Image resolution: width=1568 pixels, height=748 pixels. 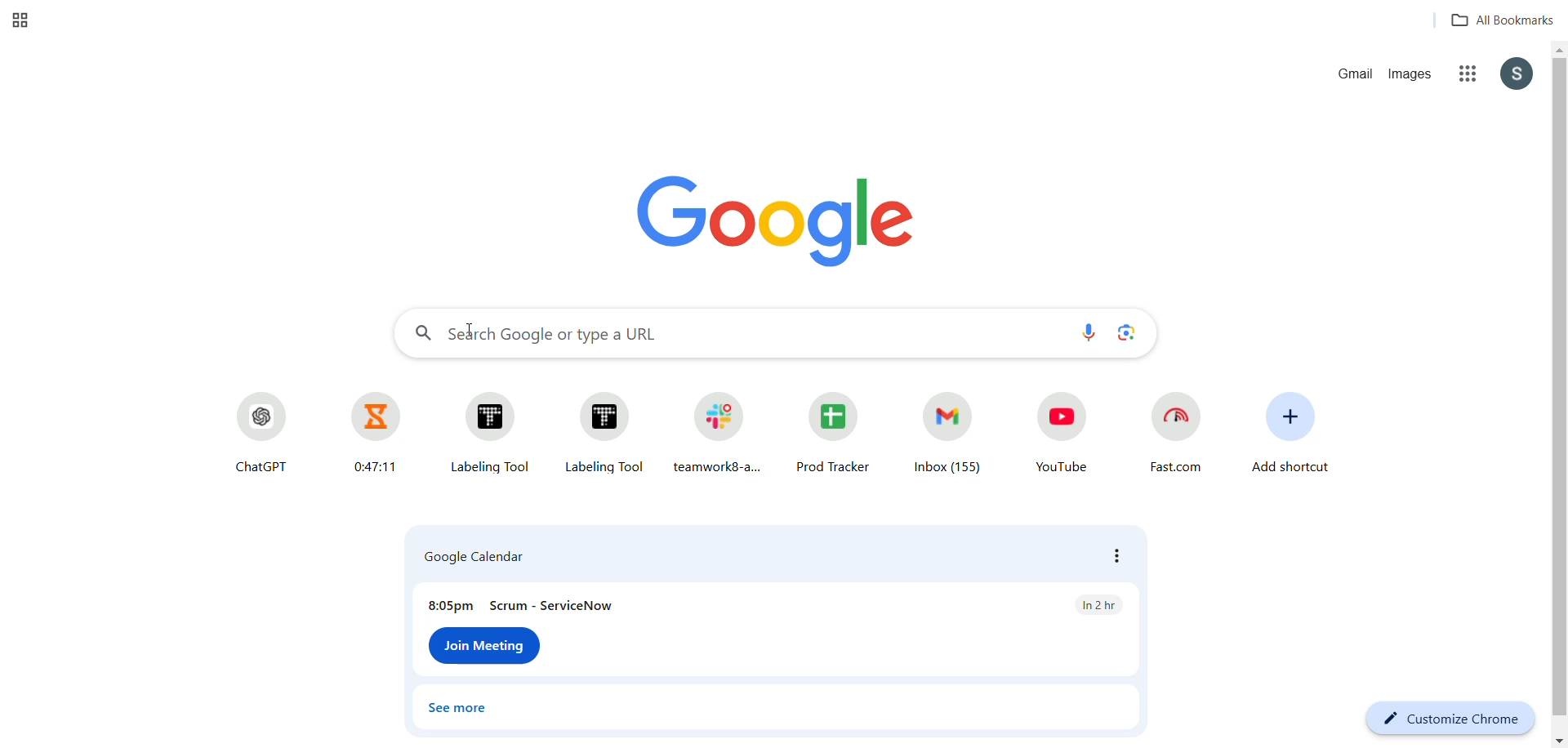 What do you see at coordinates (1086, 335) in the screenshot?
I see `voice search` at bounding box center [1086, 335].